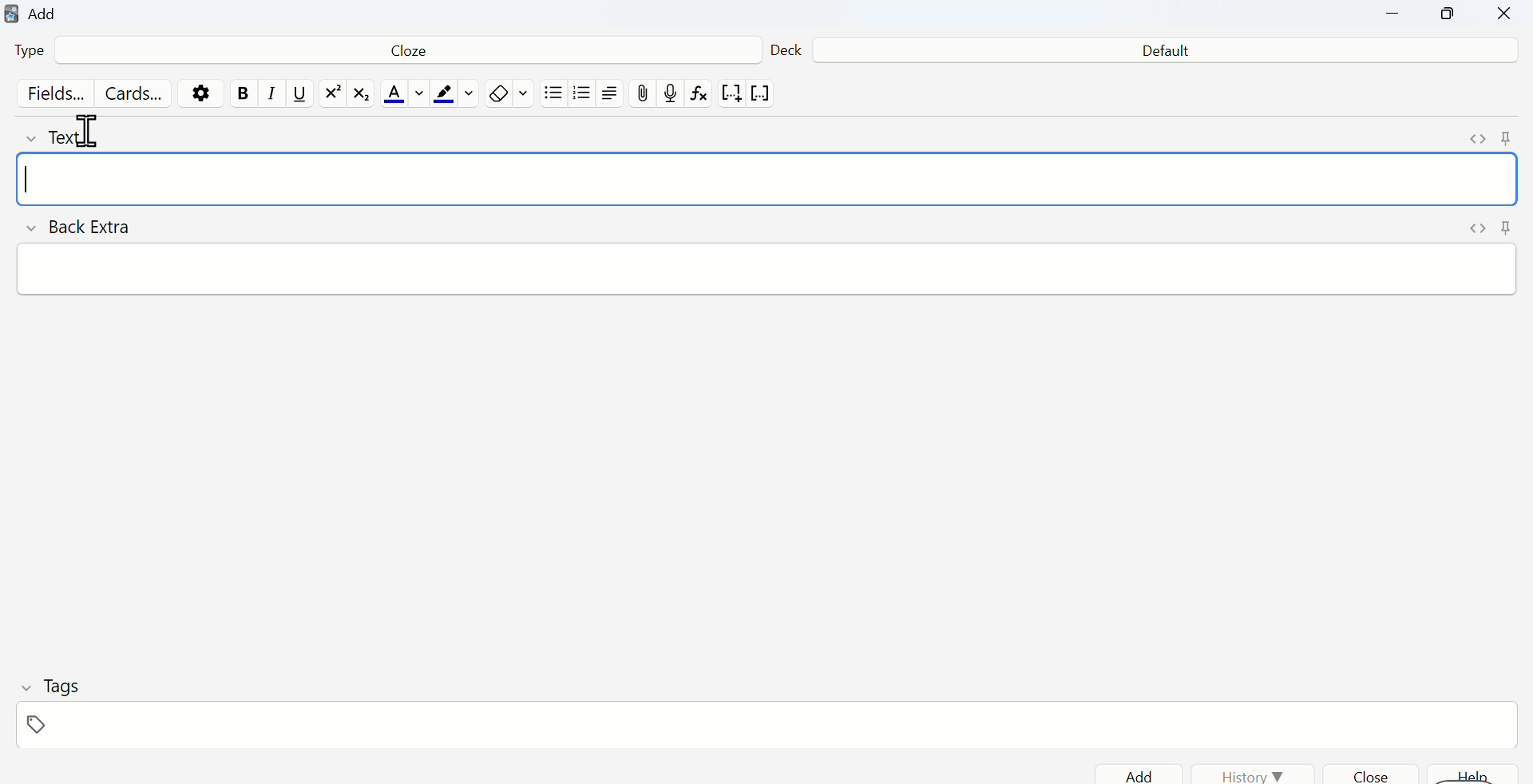 The width and height of the screenshot is (1533, 784). What do you see at coordinates (1503, 16) in the screenshot?
I see `Close` at bounding box center [1503, 16].